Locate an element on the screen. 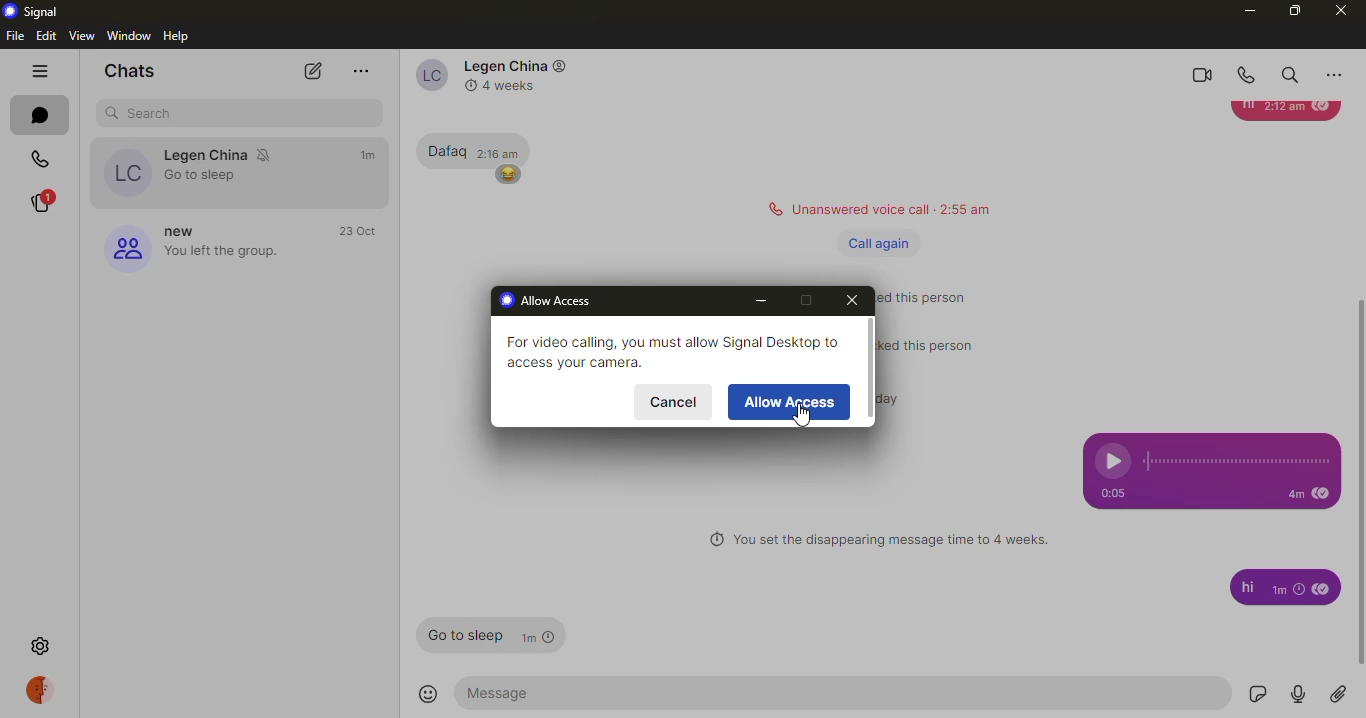 This screenshot has height=718, width=1366. voice call is located at coordinates (1248, 72).